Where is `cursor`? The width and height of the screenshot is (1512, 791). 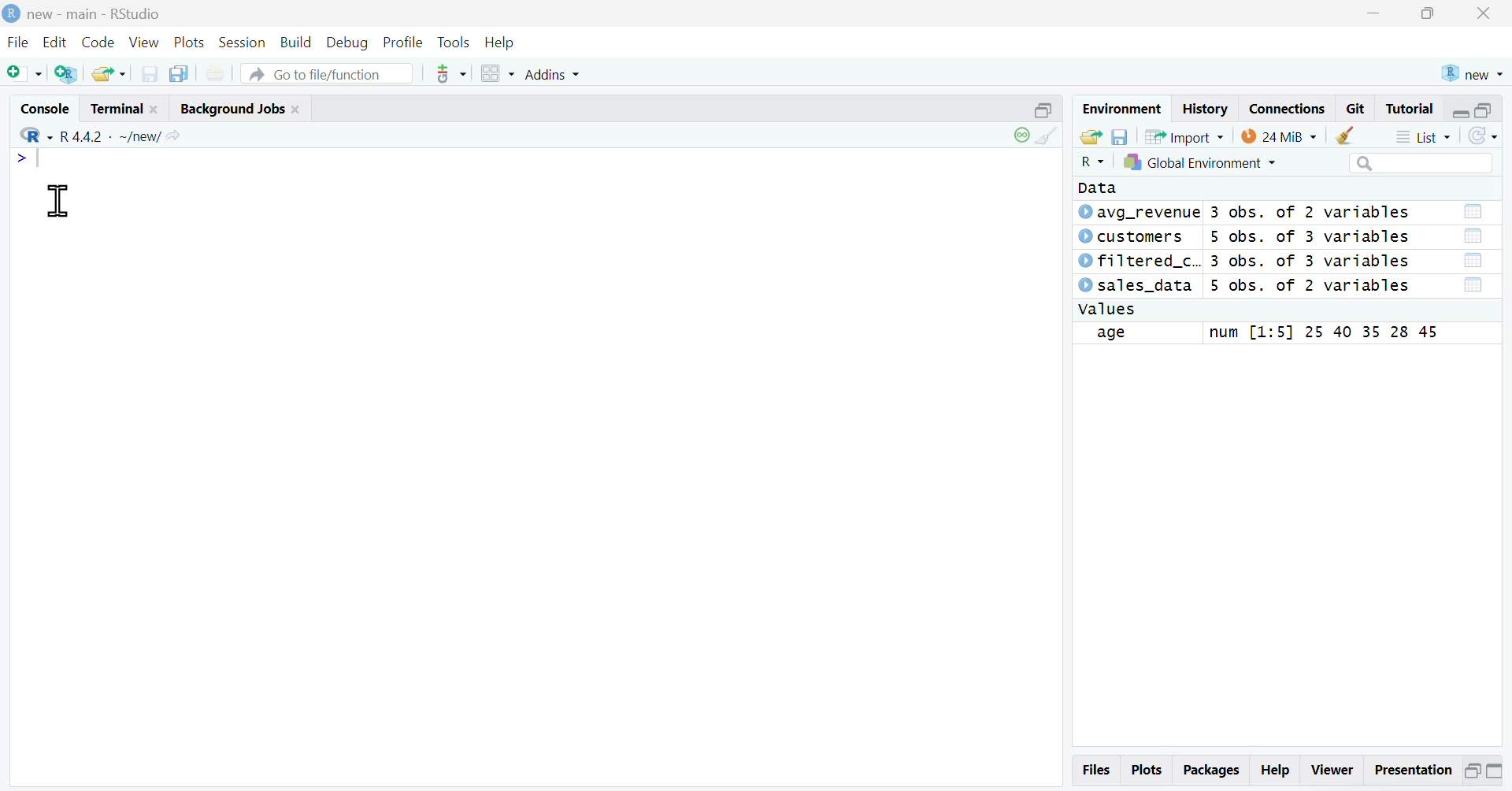 cursor is located at coordinates (60, 202).